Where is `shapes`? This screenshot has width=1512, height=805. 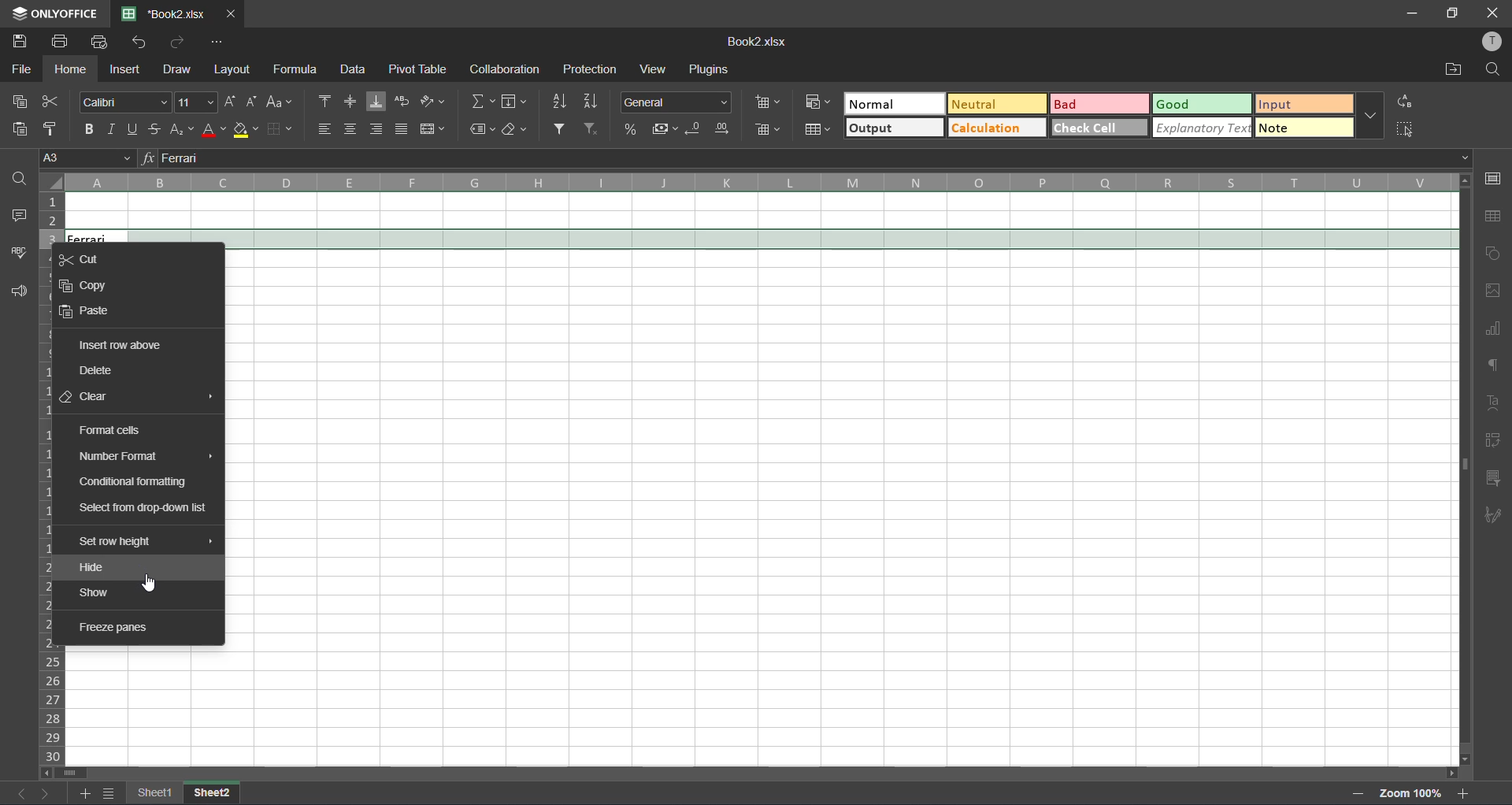
shapes is located at coordinates (1495, 253).